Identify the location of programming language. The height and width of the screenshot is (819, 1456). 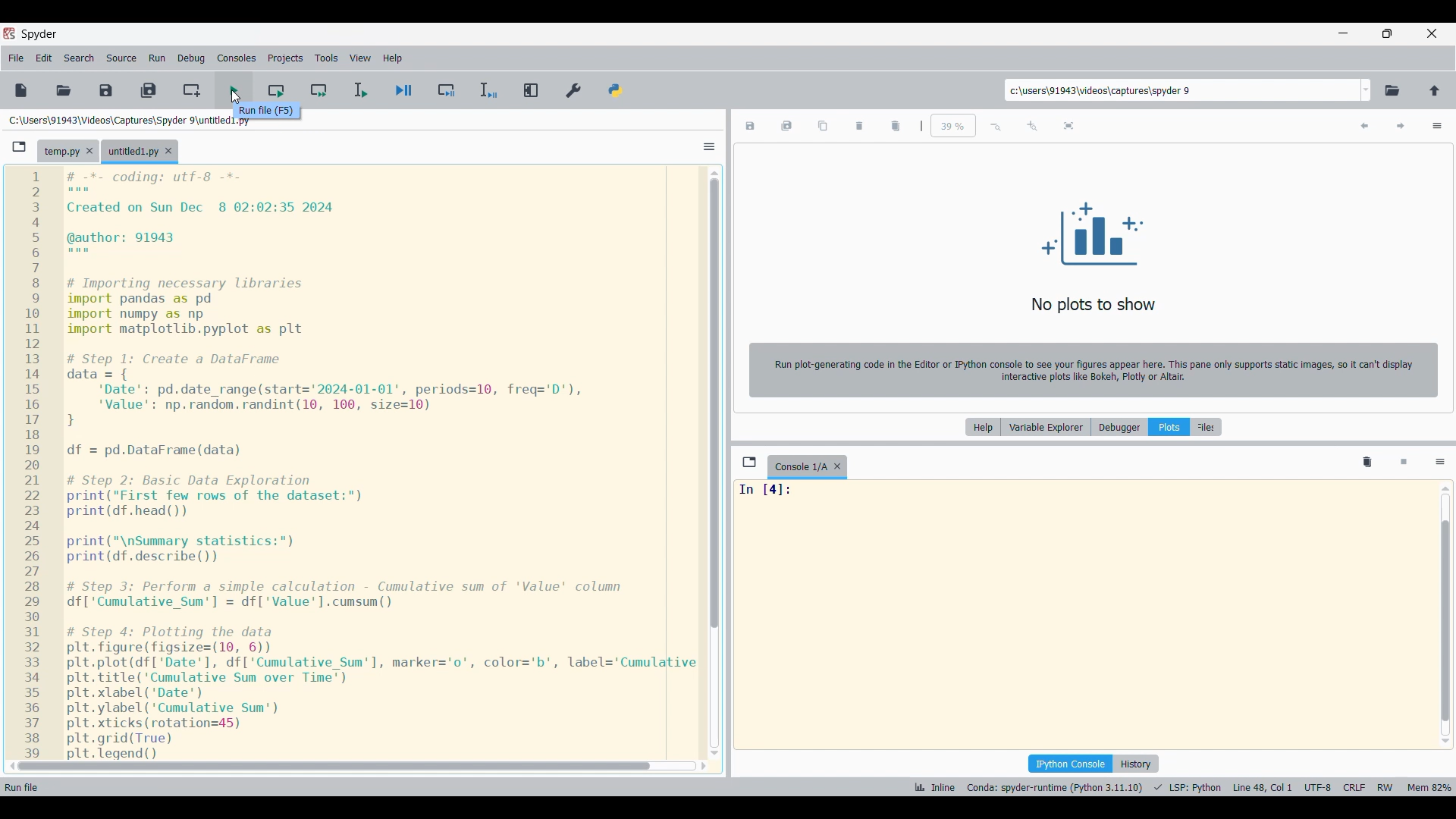
(1185, 787).